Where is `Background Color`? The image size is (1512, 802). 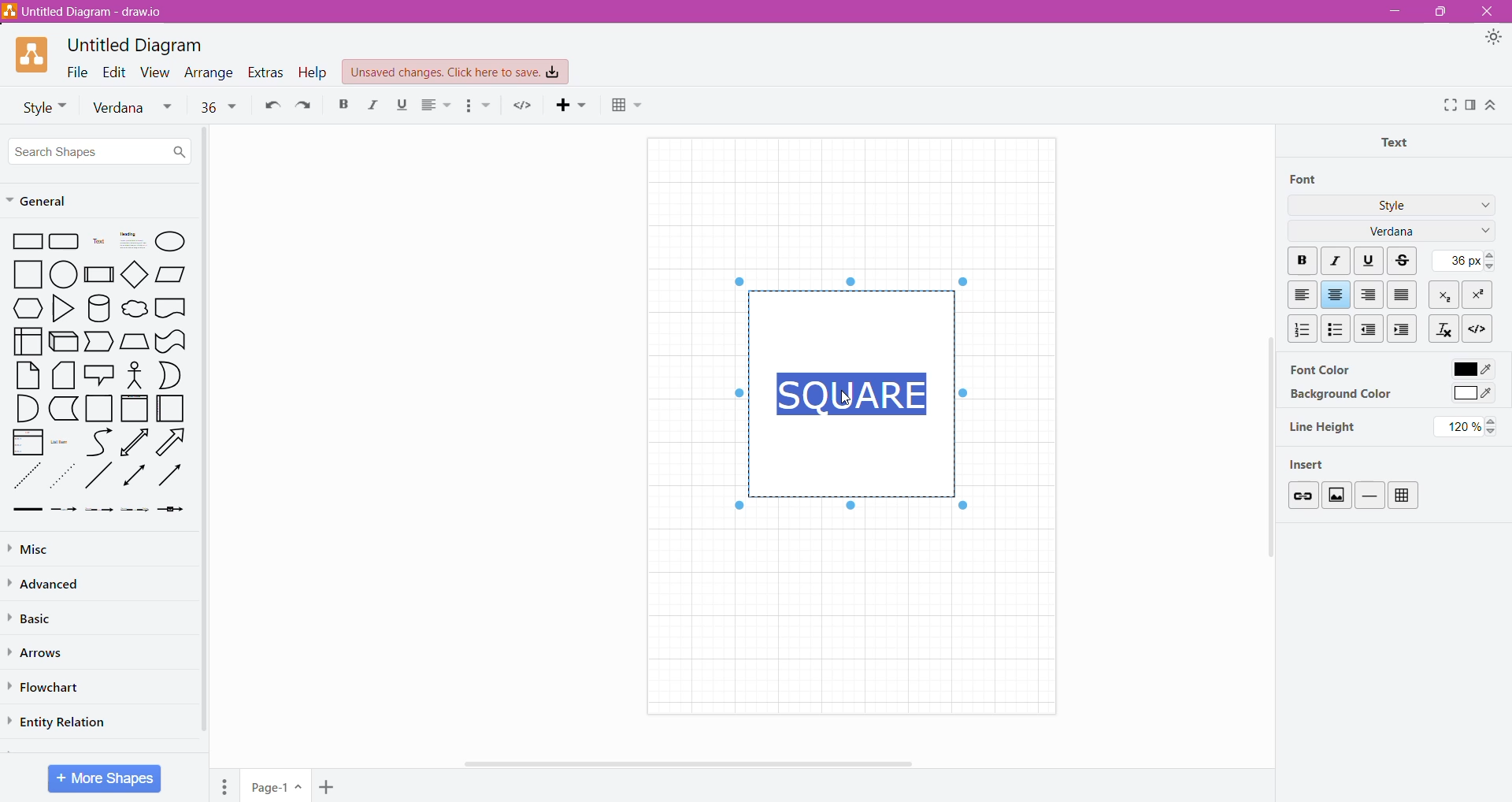
Background Color is located at coordinates (1340, 395).